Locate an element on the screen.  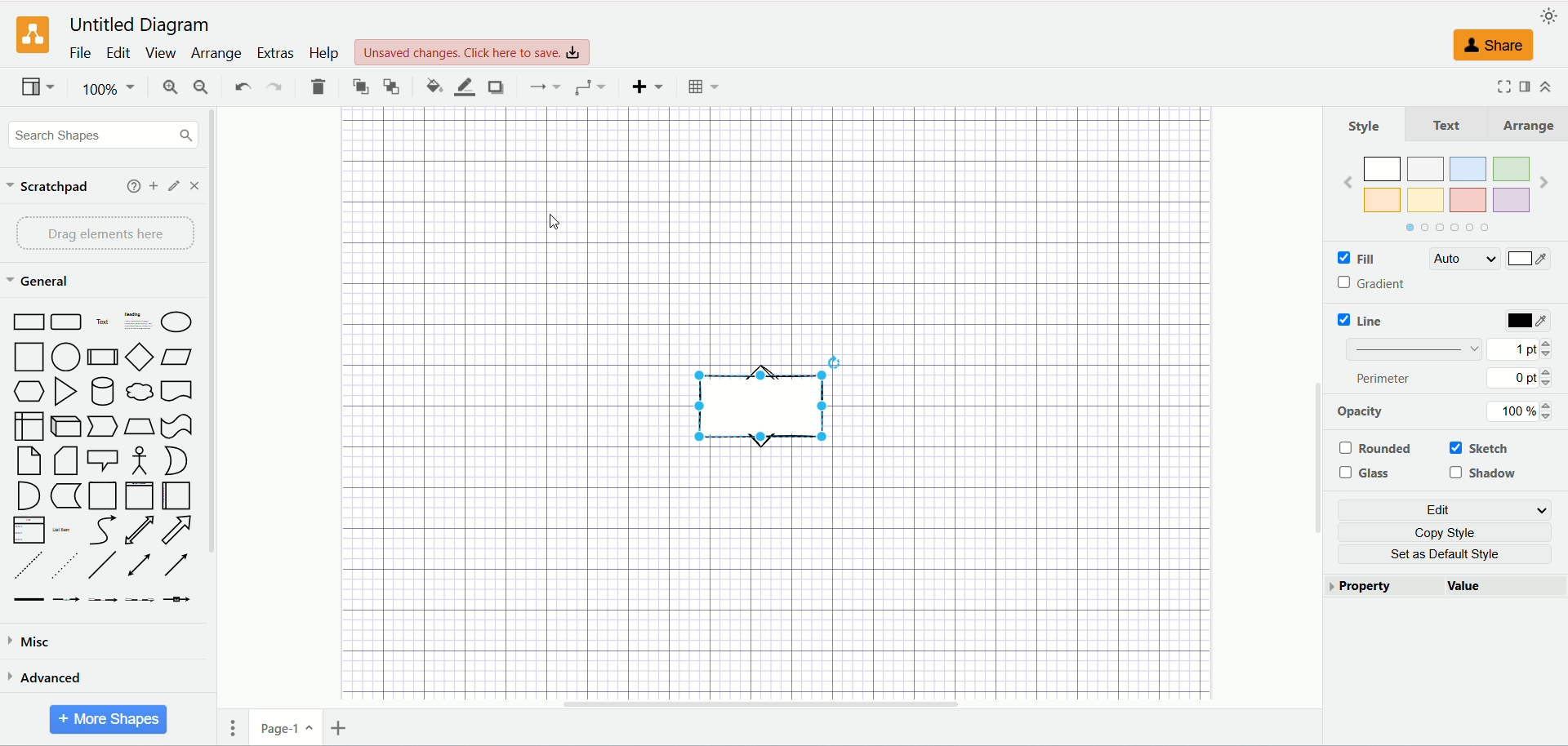
glass is located at coordinates (1365, 474).